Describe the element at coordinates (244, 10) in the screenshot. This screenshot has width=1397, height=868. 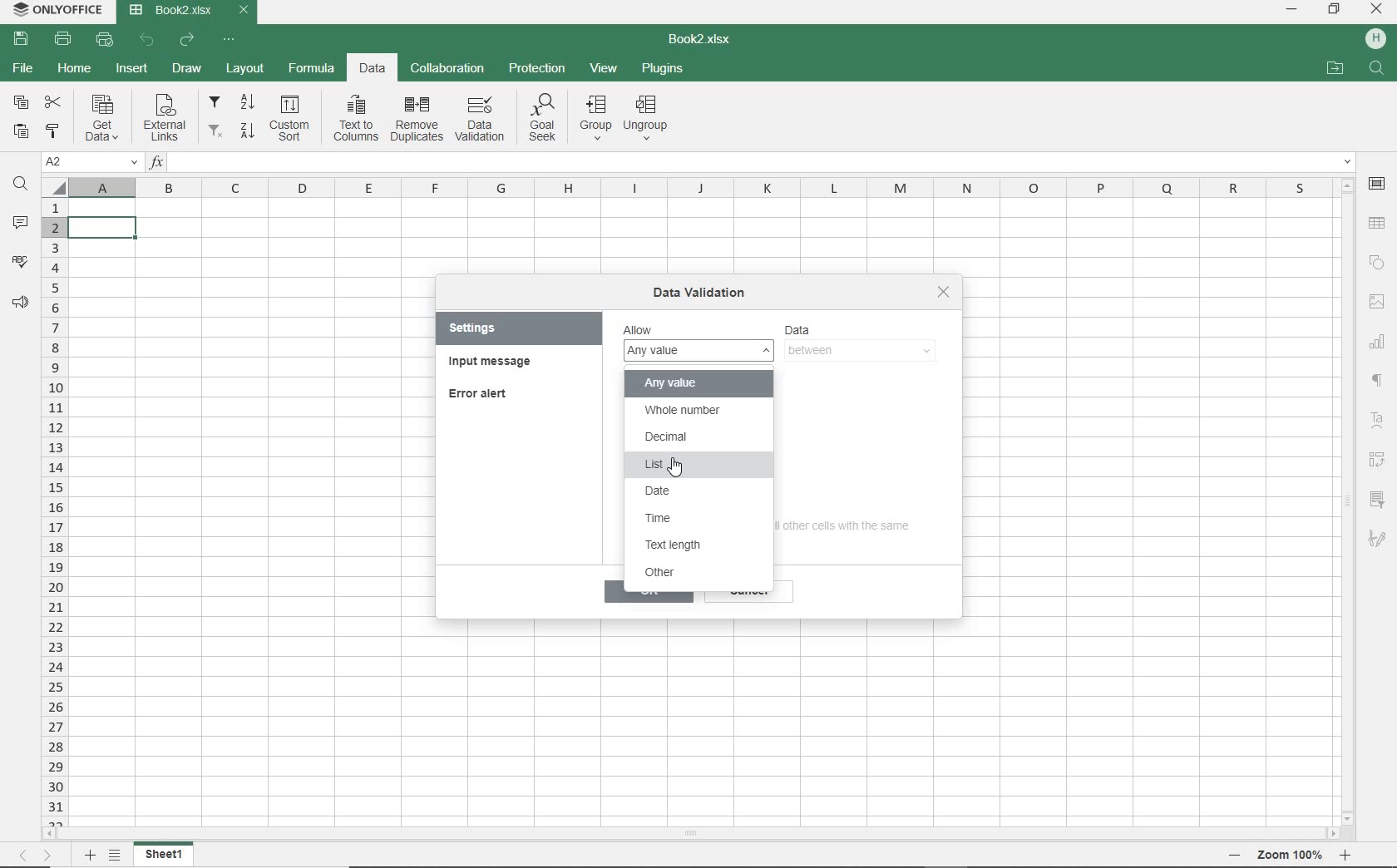
I see `CLOSE TAB` at that location.